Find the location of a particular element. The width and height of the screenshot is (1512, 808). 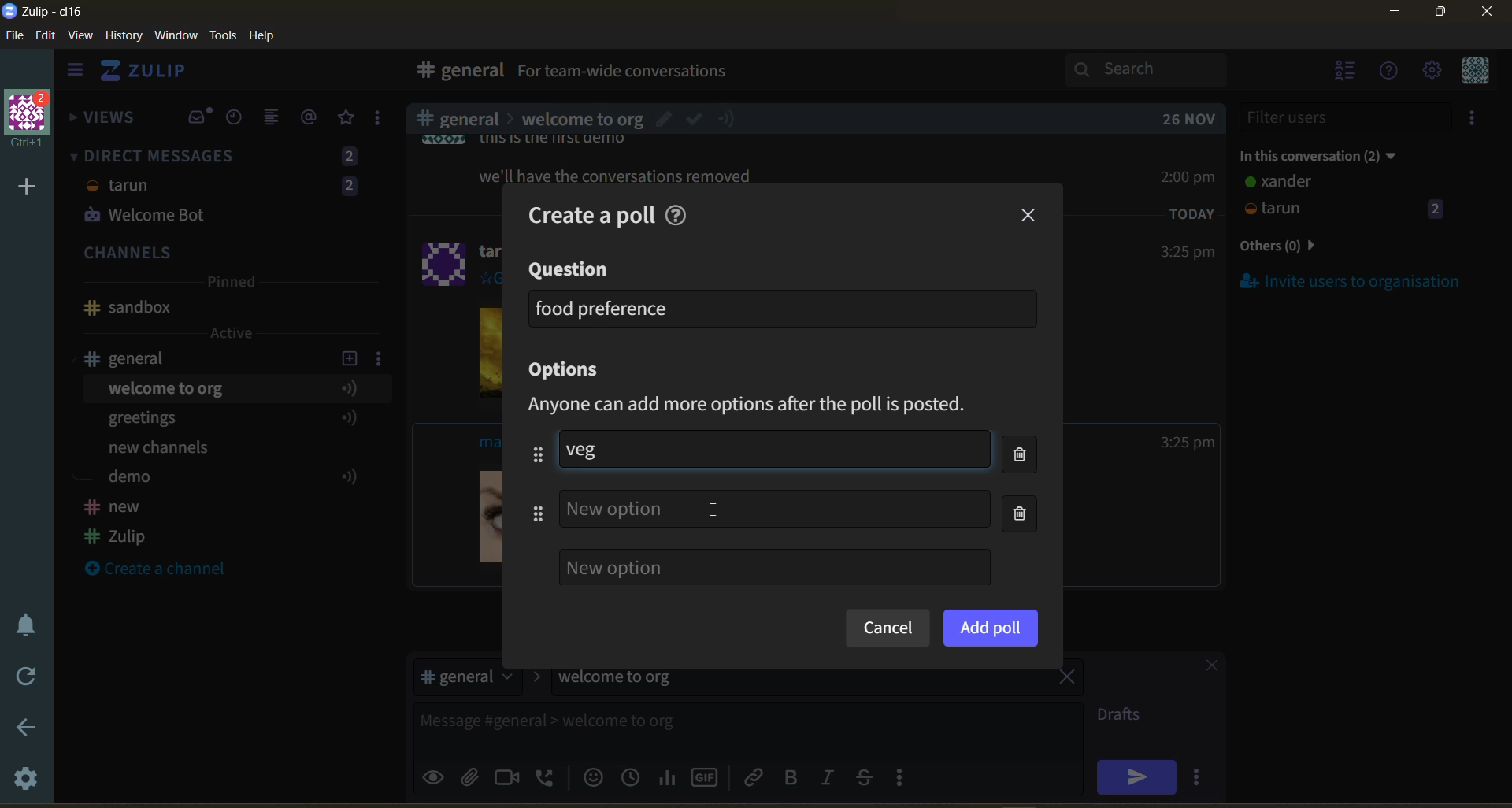

send is located at coordinates (1136, 776).